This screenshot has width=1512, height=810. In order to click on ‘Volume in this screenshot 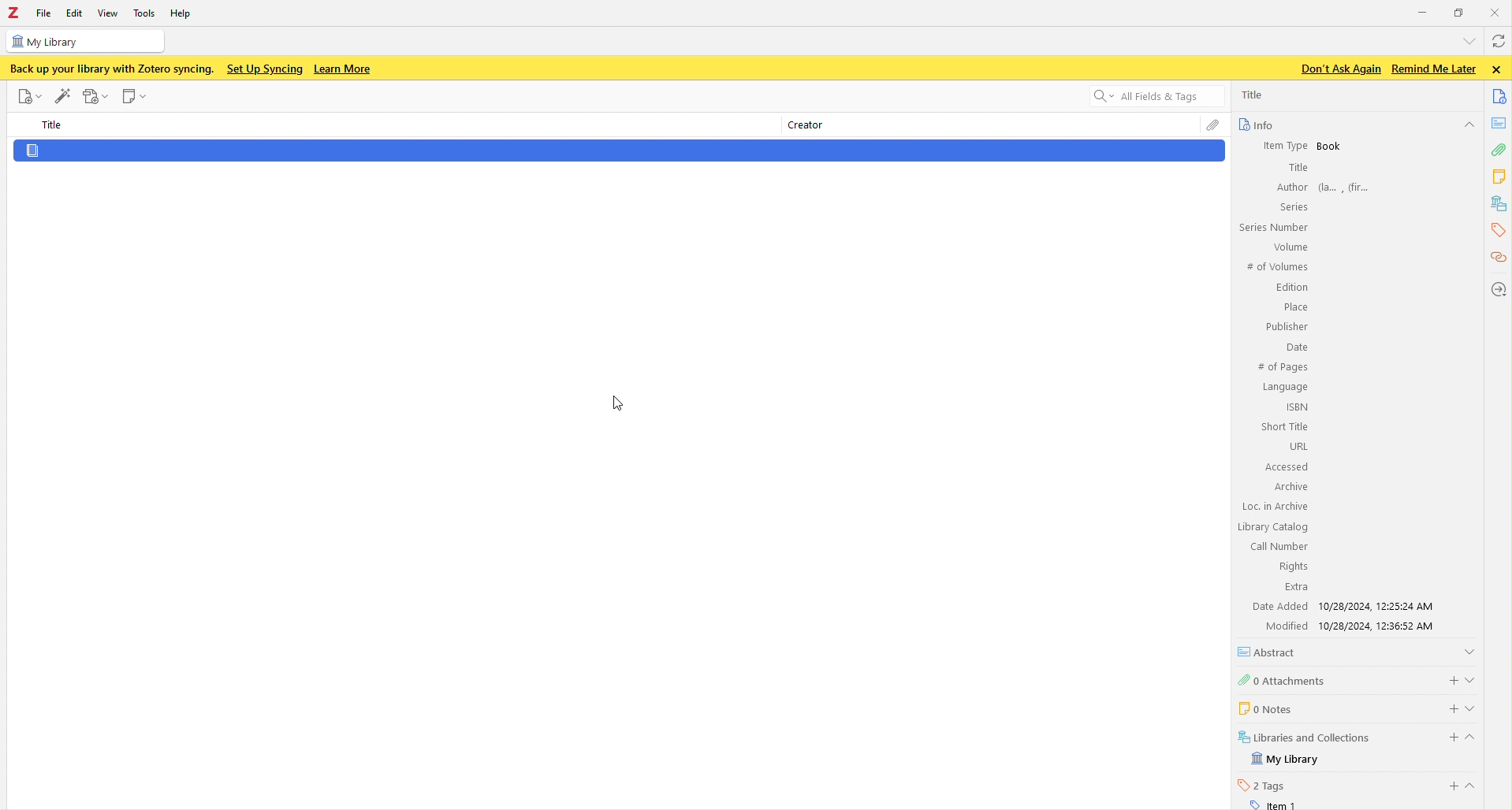, I will do `click(1288, 247)`.